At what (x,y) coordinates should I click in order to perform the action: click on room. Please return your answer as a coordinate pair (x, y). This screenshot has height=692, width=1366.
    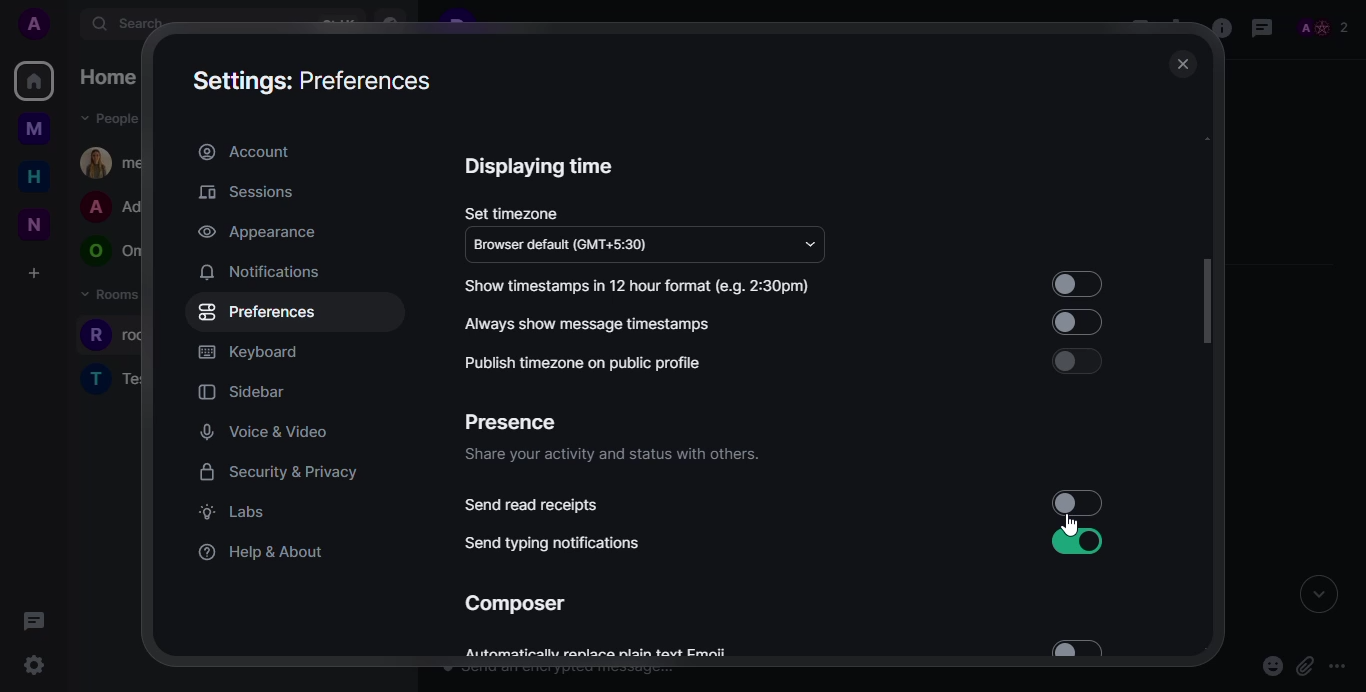
    Looking at the image, I should click on (127, 336).